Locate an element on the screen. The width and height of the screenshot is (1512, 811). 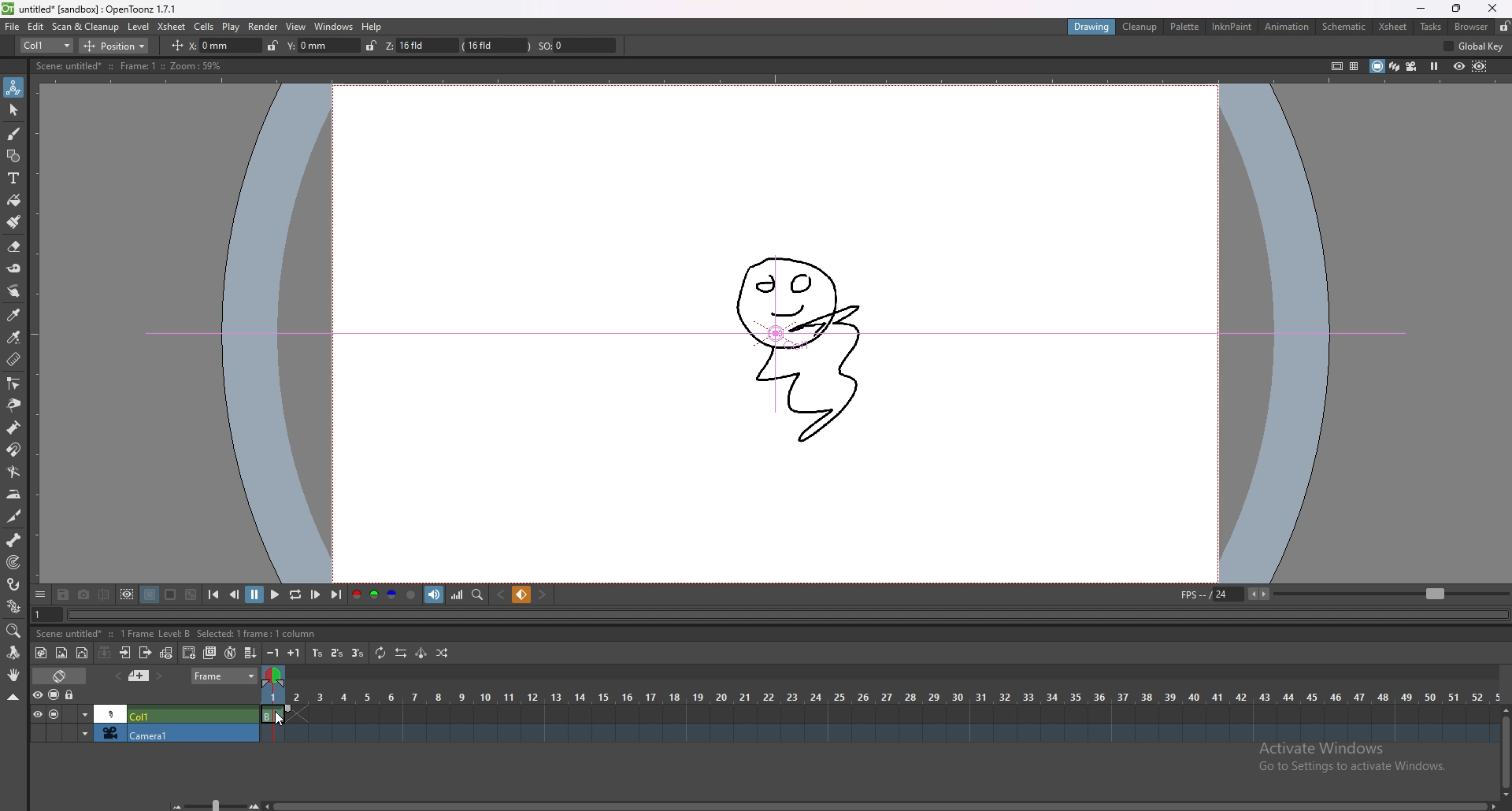
lock is located at coordinates (268, 45).